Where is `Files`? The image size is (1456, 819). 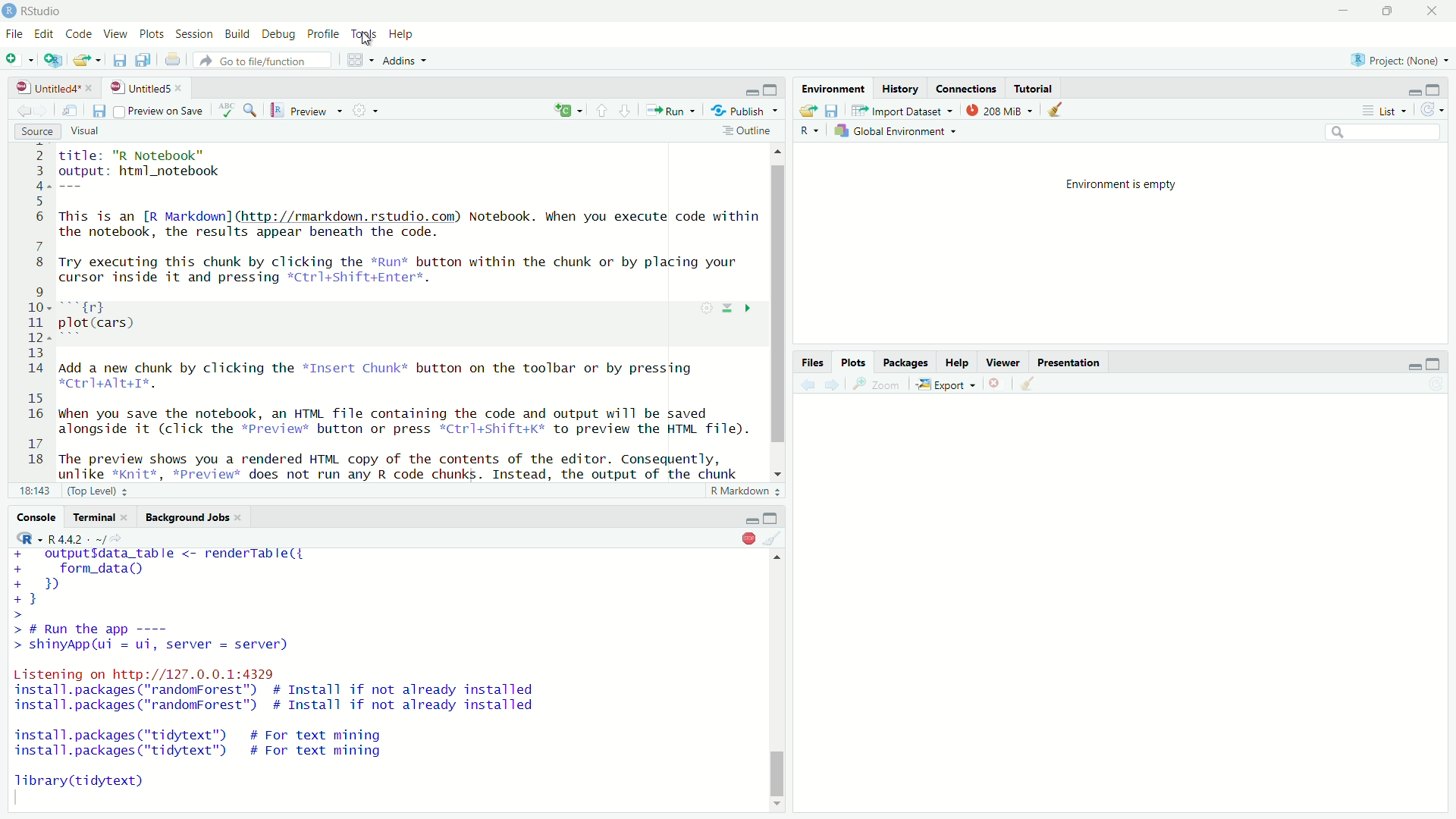 Files is located at coordinates (810, 362).